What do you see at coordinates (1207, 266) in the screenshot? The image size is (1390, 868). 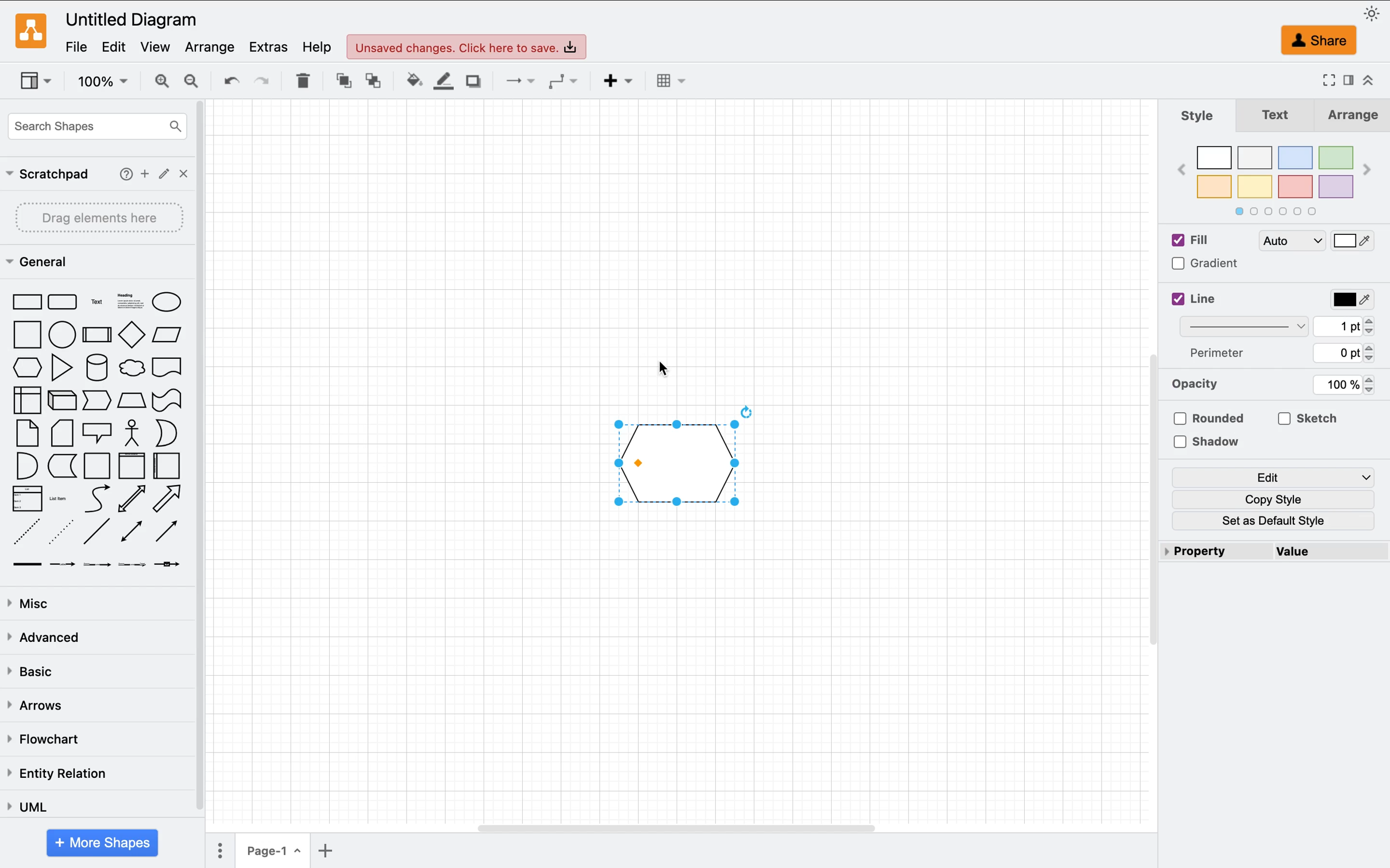 I see `Gradient` at bounding box center [1207, 266].